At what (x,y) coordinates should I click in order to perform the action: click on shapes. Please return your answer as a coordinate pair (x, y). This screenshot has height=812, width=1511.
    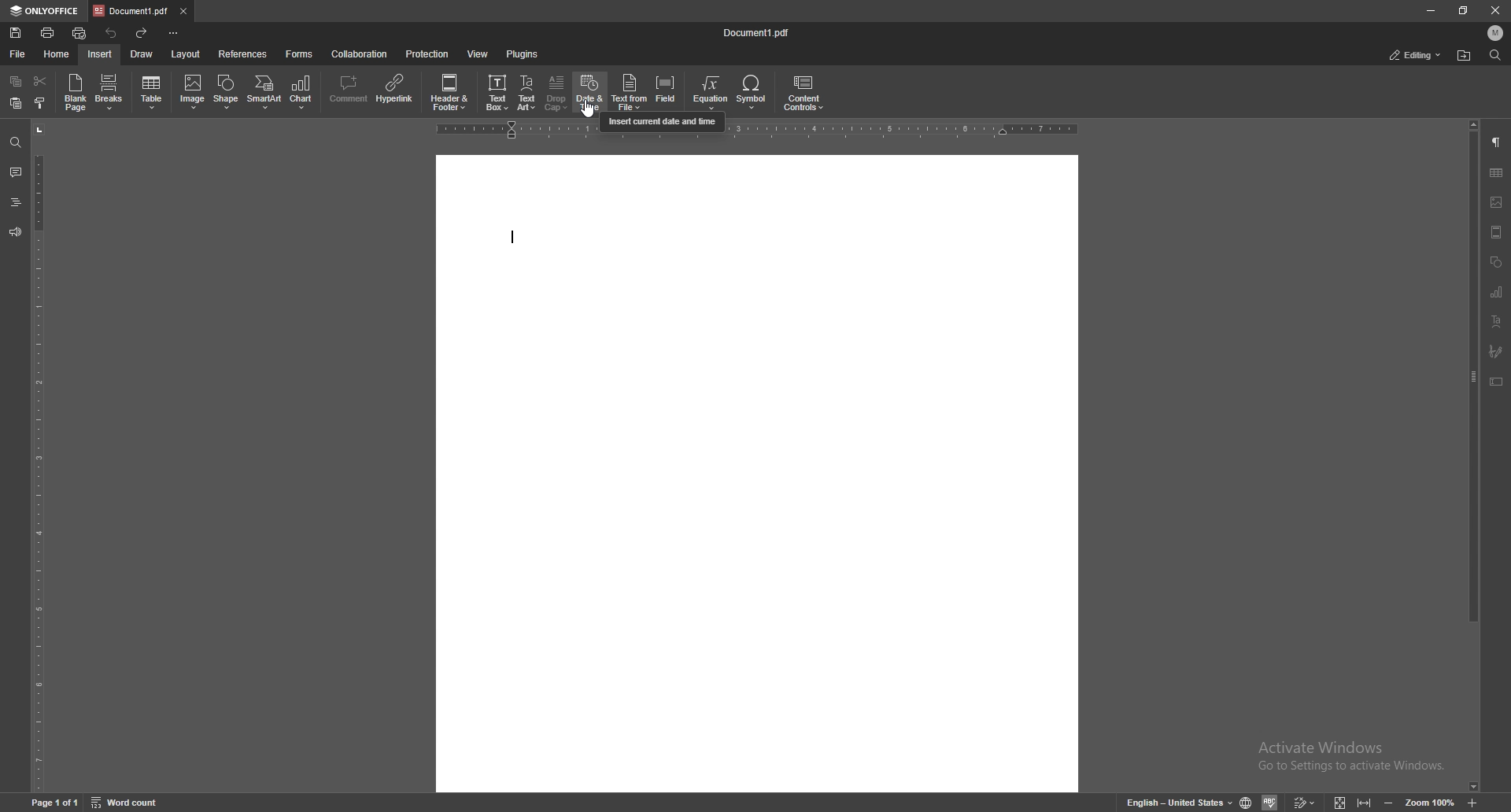
    Looking at the image, I should click on (1498, 262).